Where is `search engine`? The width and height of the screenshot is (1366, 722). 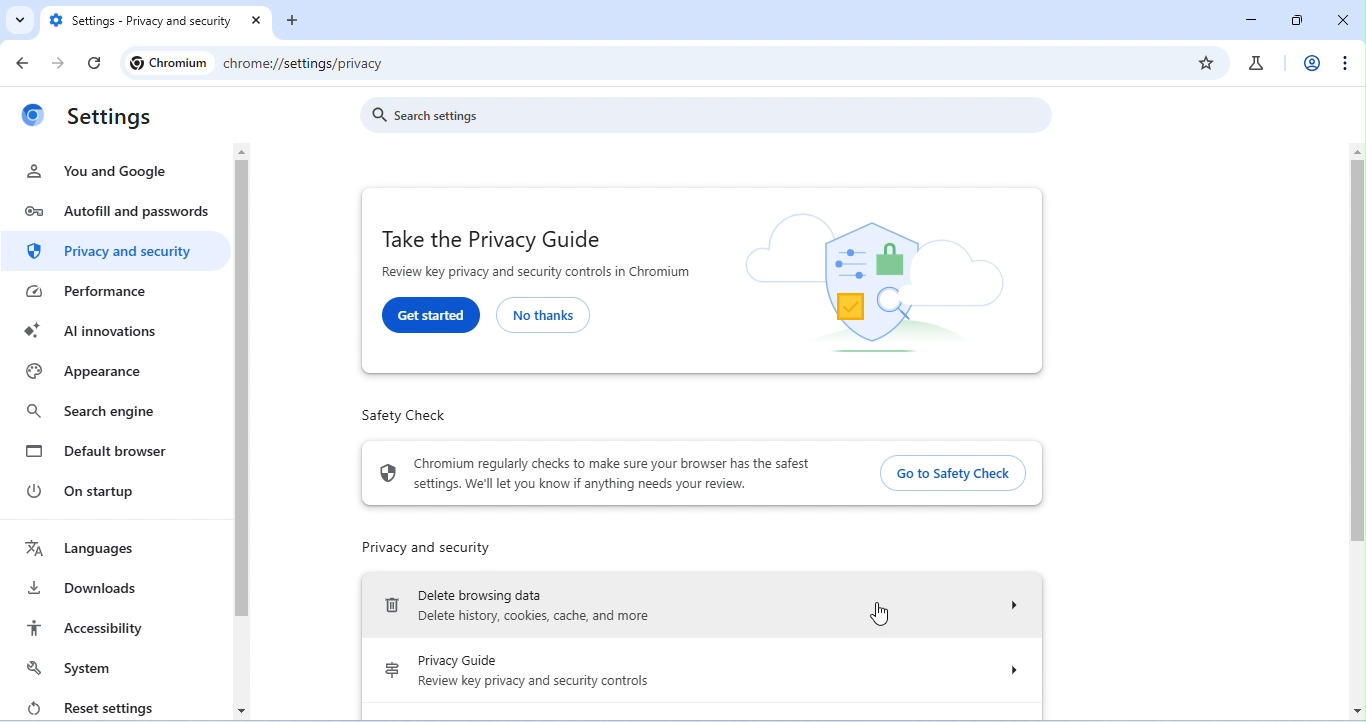 search engine is located at coordinates (90, 412).